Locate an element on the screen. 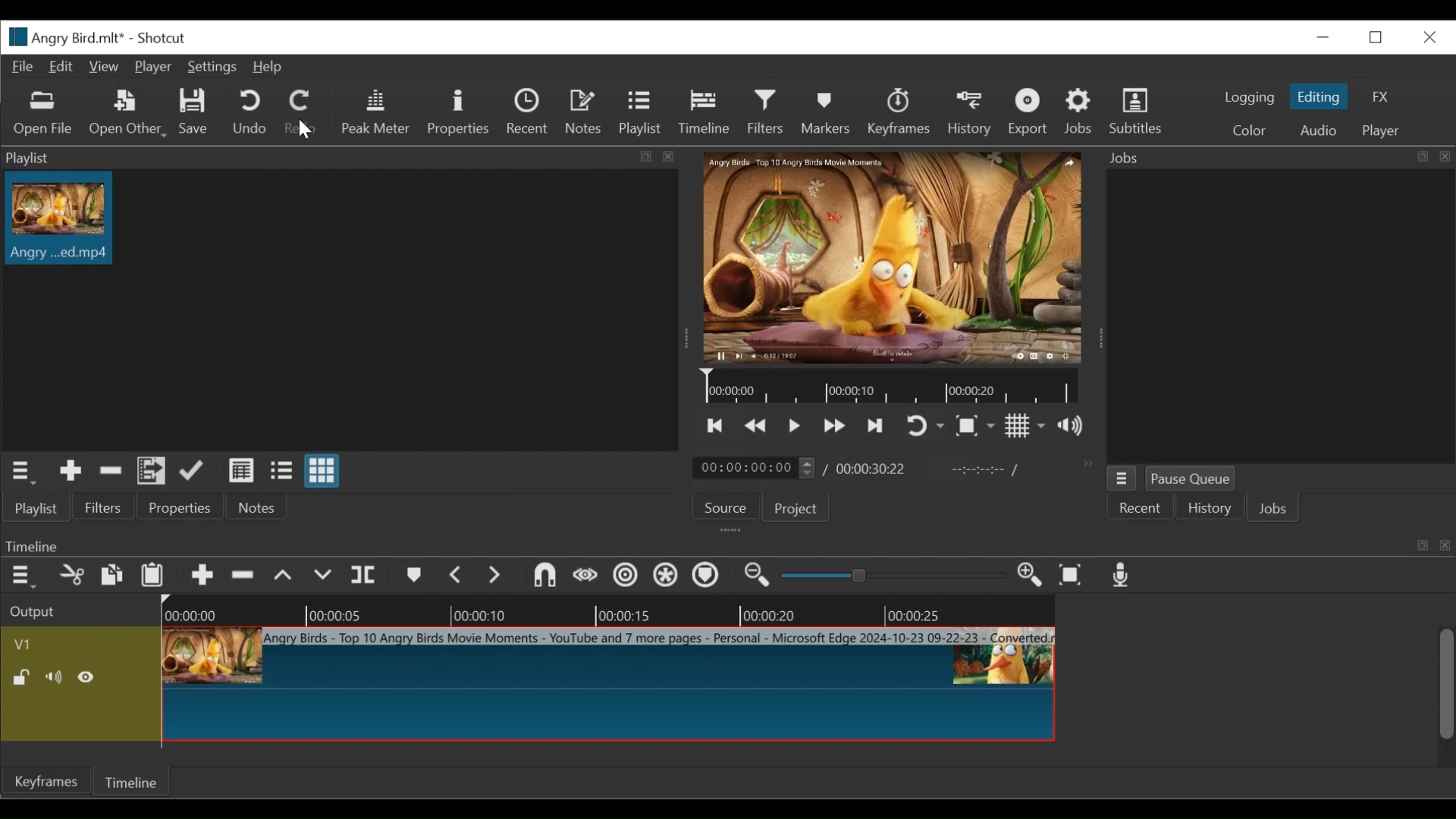  Timeline is located at coordinates (726, 544).